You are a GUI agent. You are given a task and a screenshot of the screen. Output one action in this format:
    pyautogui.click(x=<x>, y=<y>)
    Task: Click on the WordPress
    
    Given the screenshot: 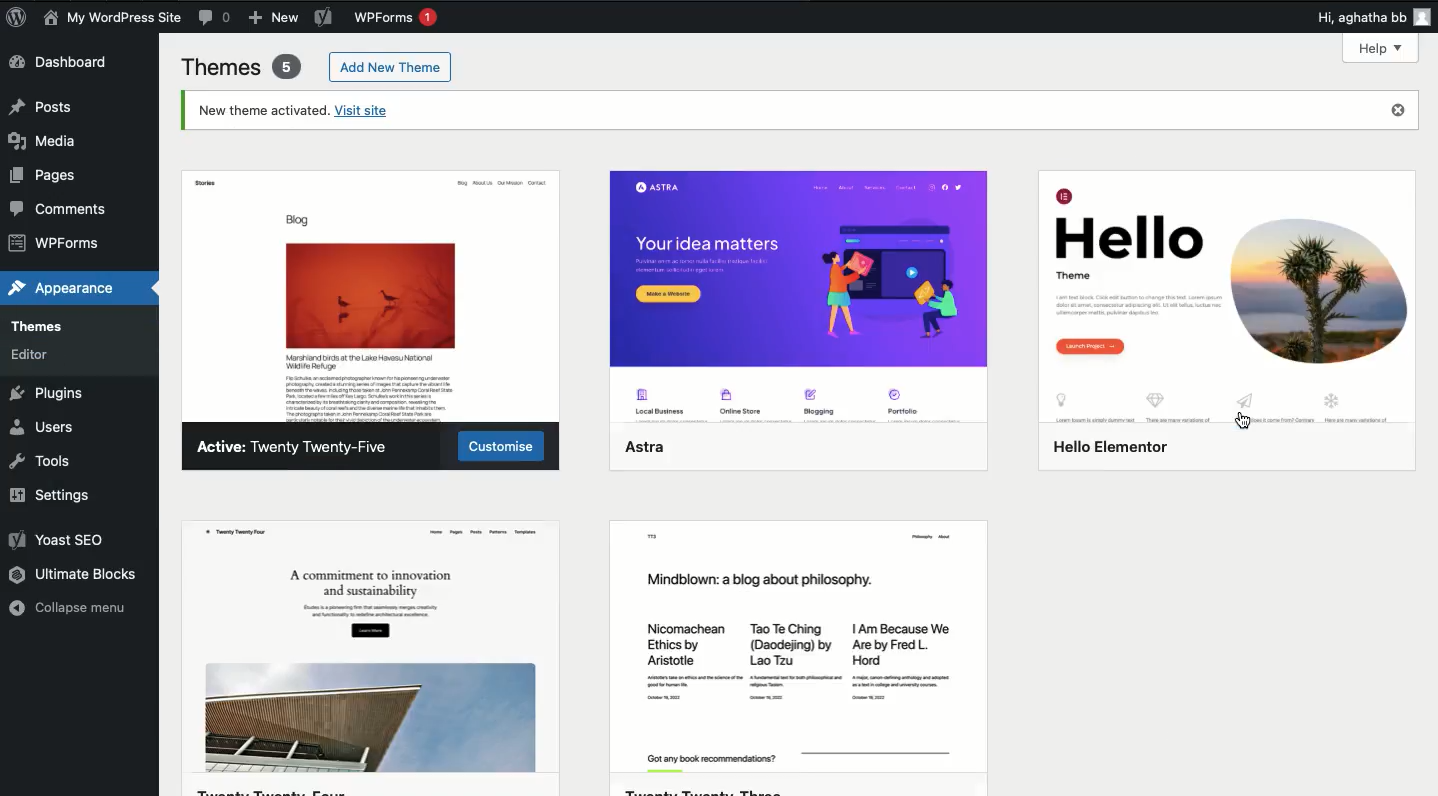 What is the action you would take?
    pyautogui.click(x=17, y=18)
    